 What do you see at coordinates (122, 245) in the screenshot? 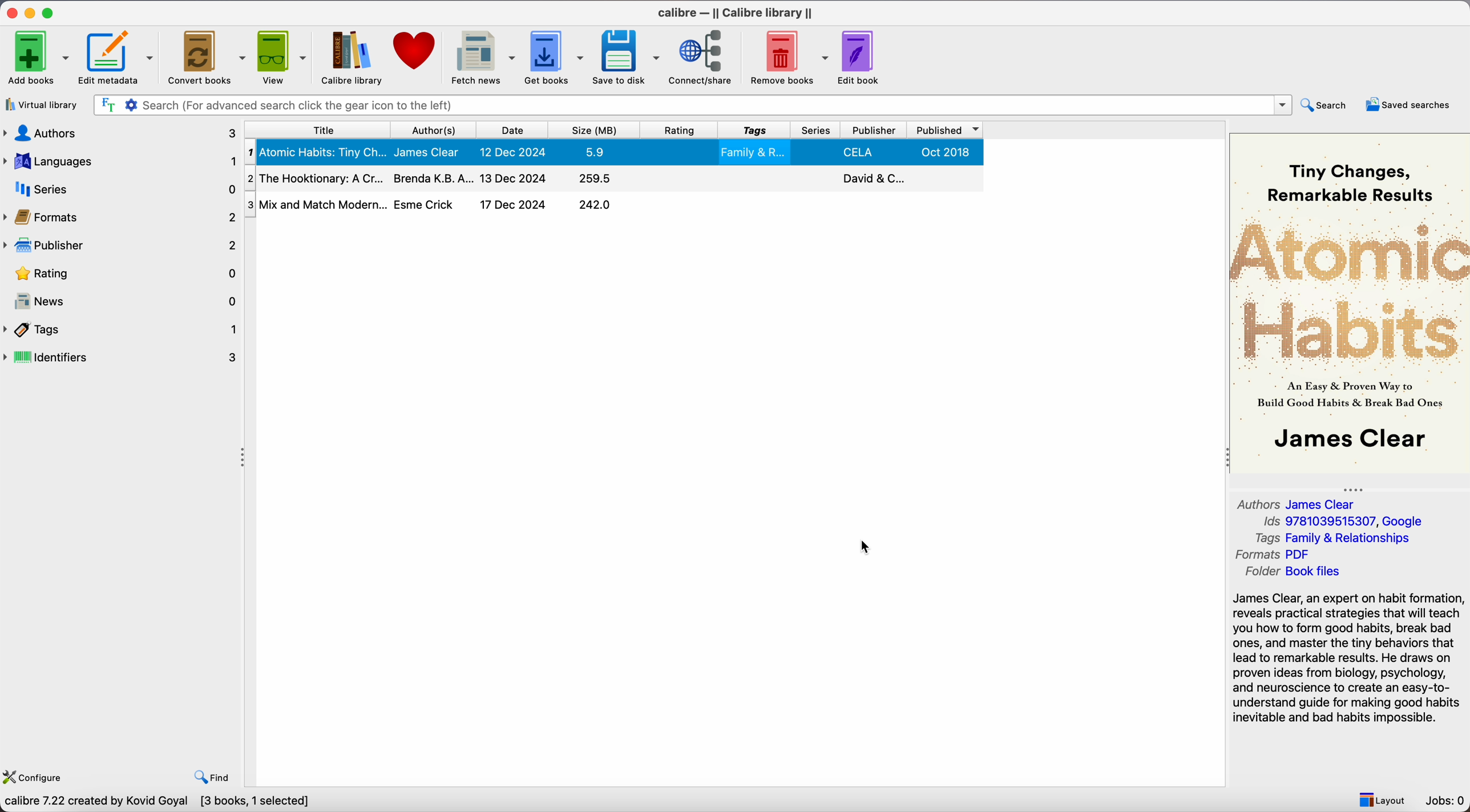
I see `publisher` at bounding box center [122, 245].